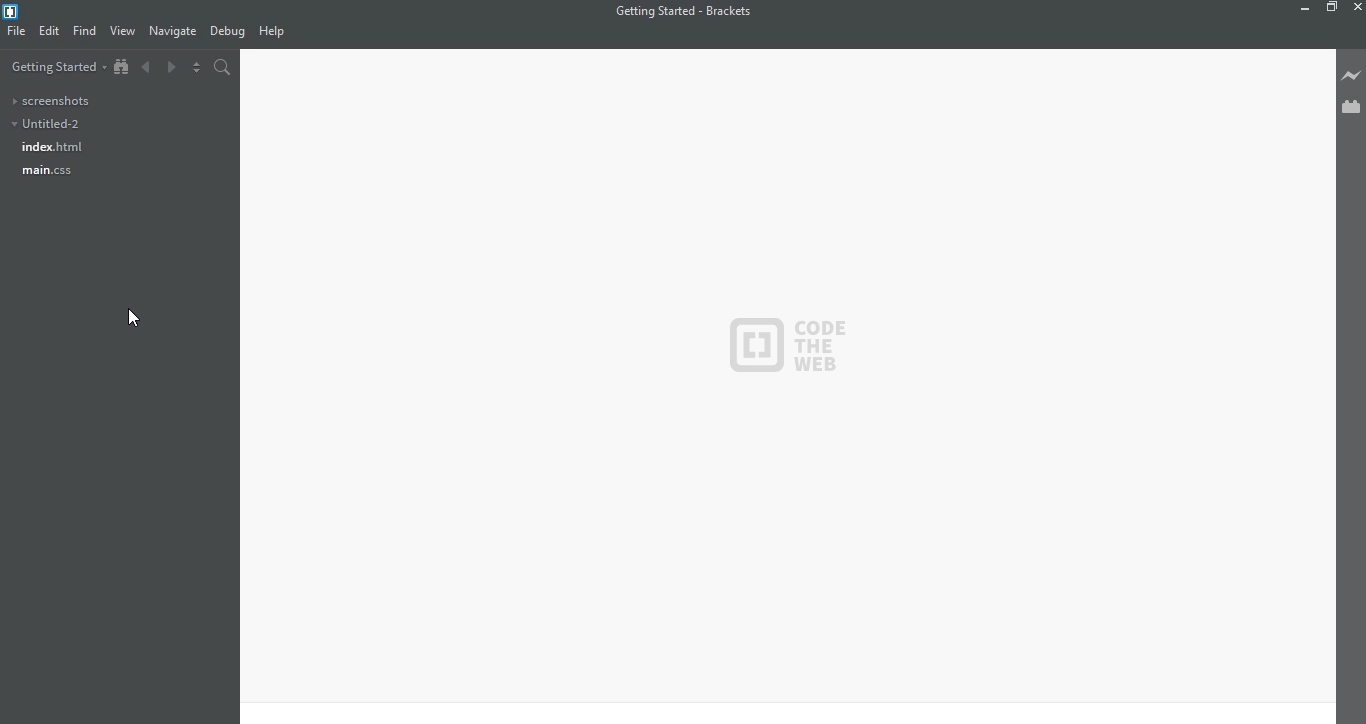 The image size is (1366, 724). I want to click on forward, so click(172, 67).